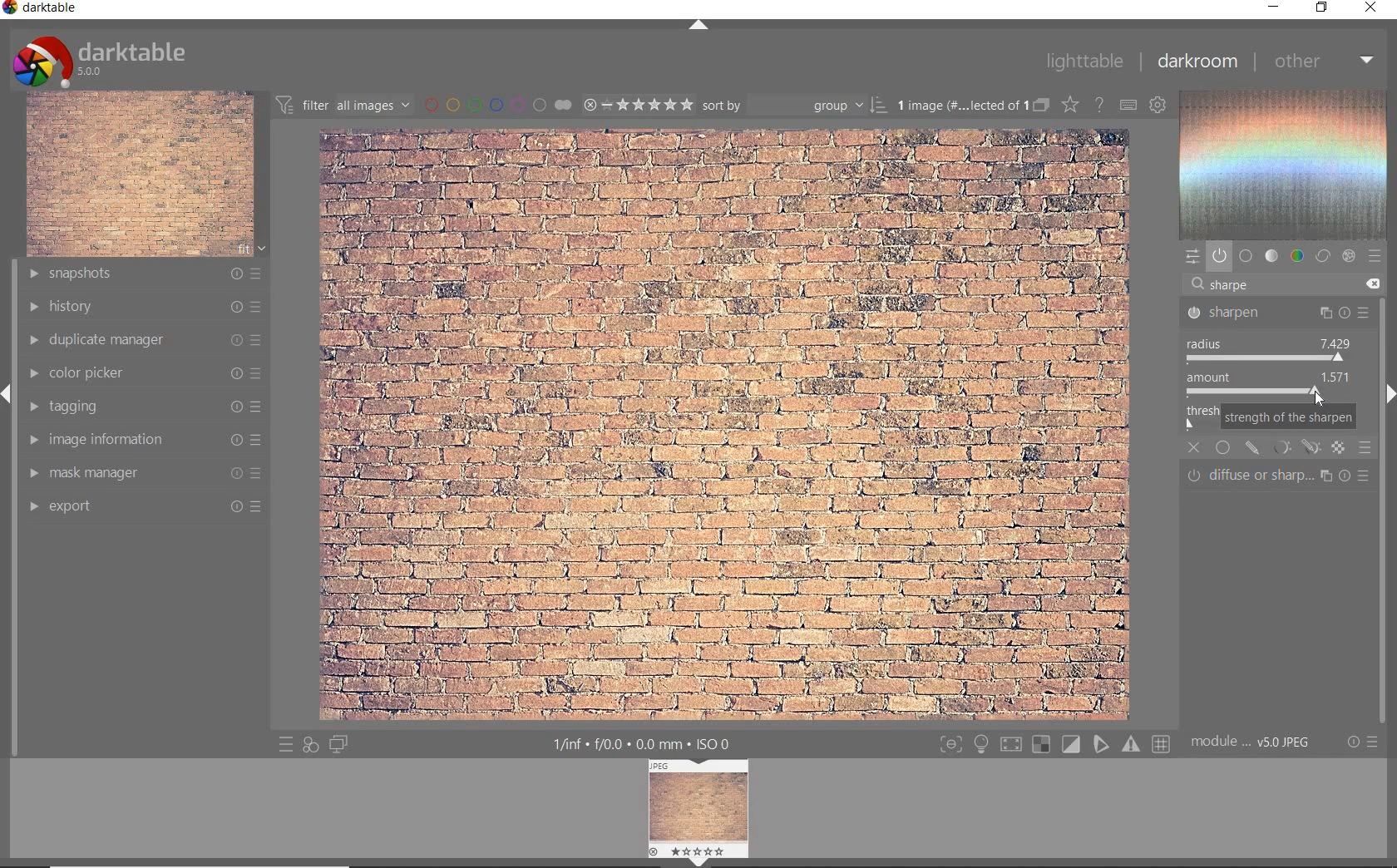 The image size is (1397, 868). I want to click on 1 image (# ... lected of, so click(959, 104).